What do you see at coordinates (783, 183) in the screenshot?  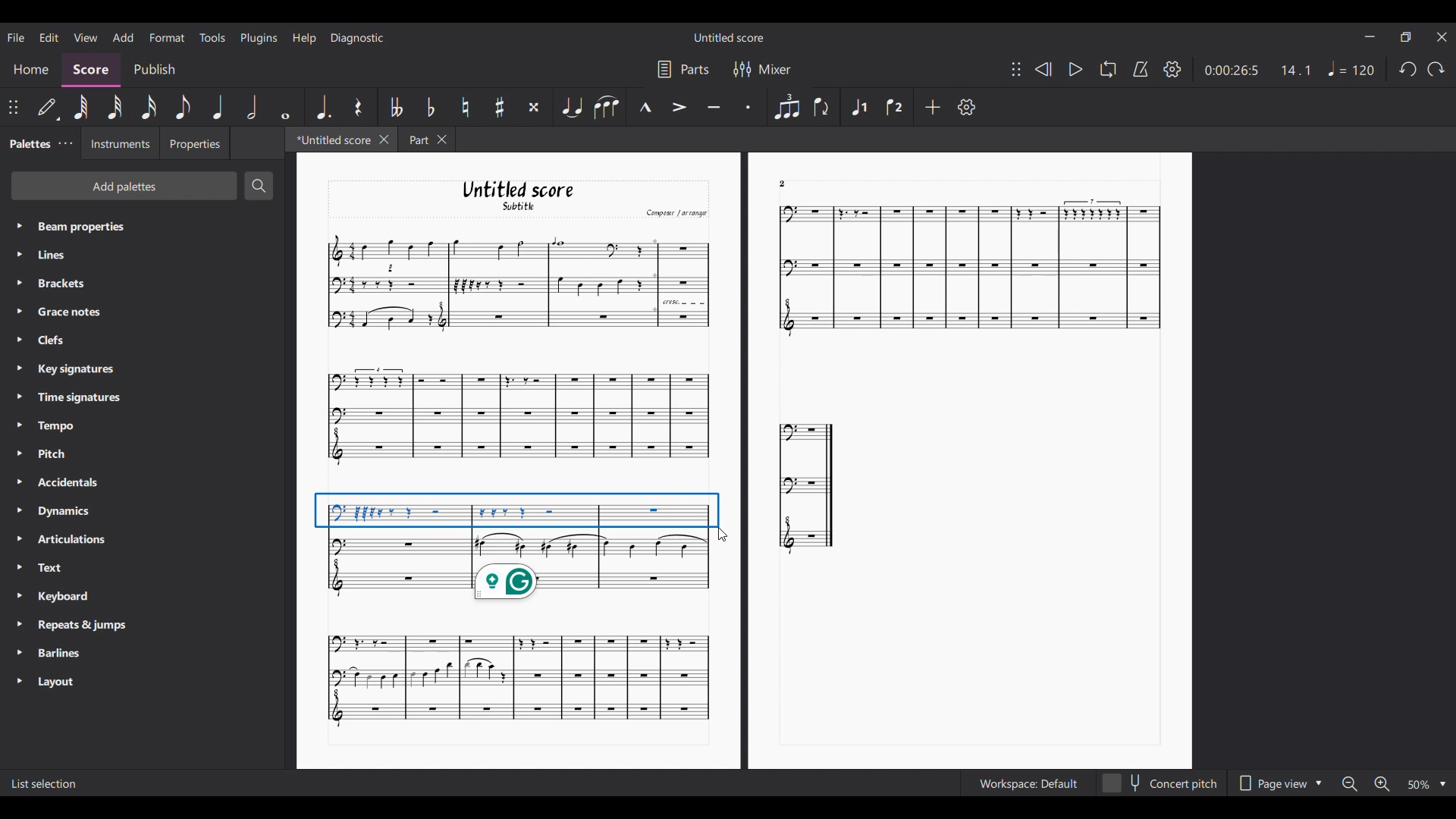 I see `2` at bounding box center [783, 183].